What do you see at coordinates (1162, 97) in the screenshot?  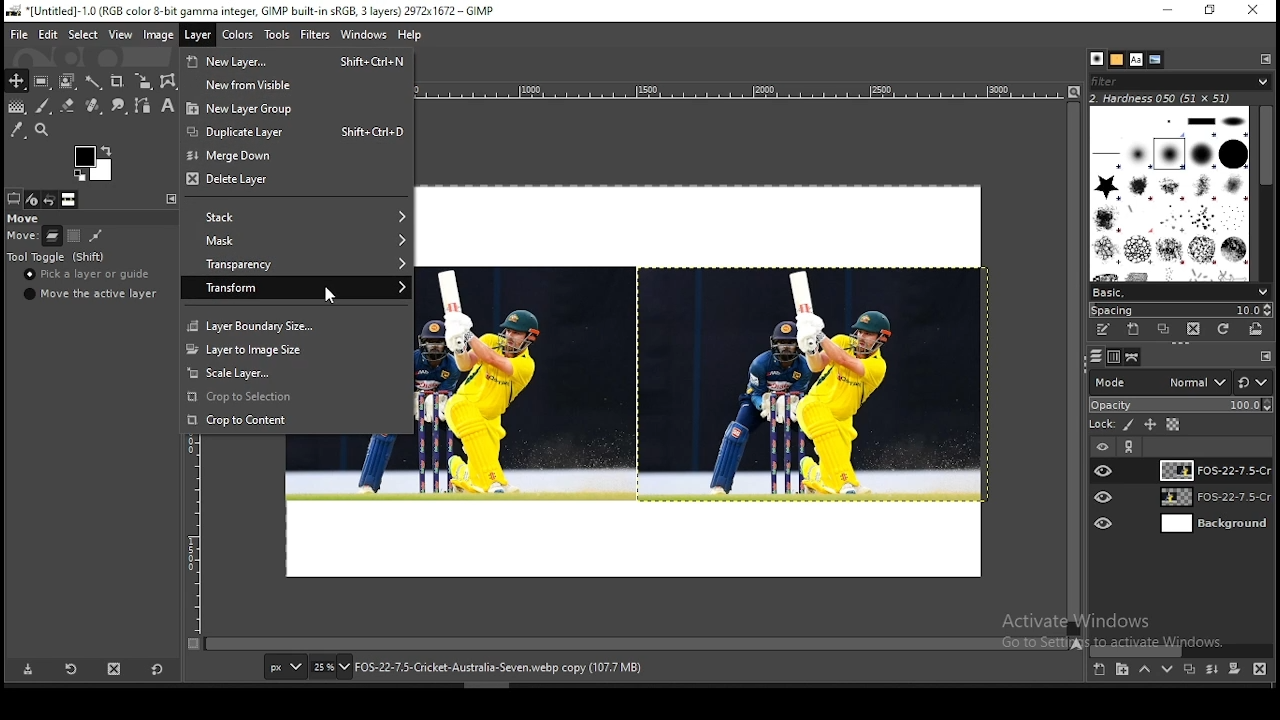 I see `text` at bounding box center [1162, 97].